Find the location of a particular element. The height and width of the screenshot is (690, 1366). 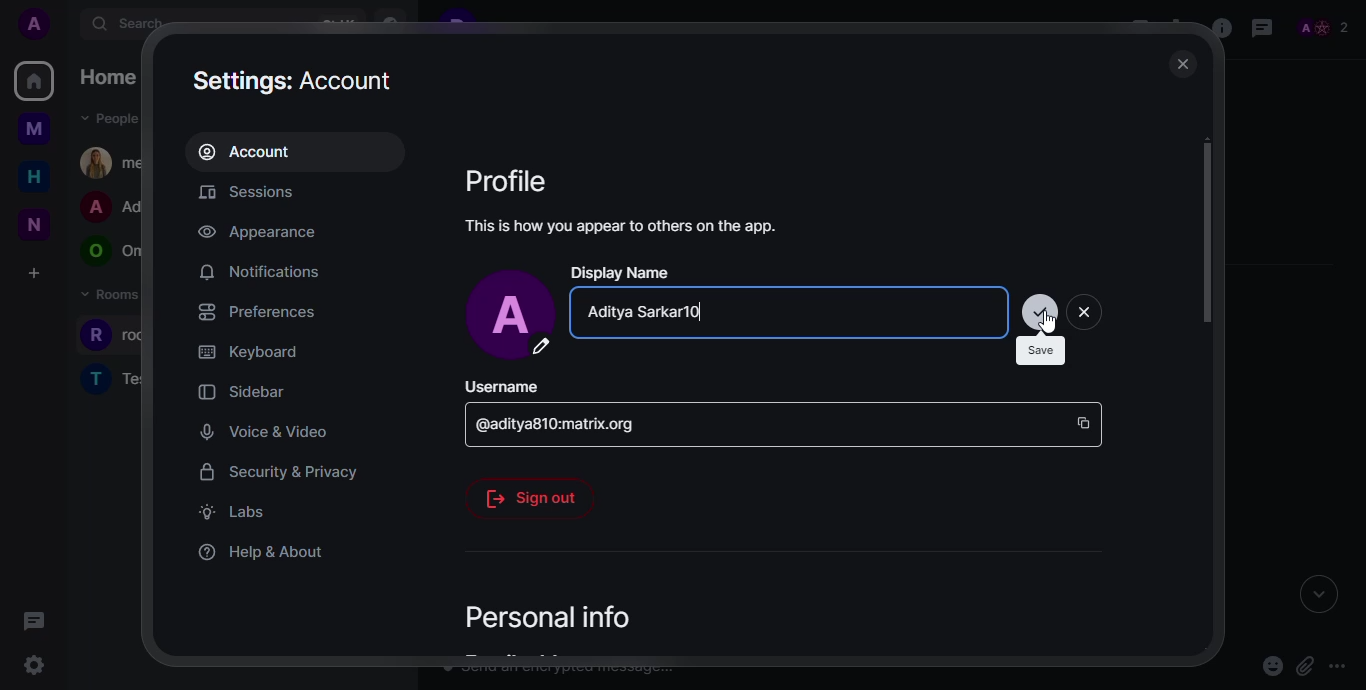

labs is located at coordinates (233, 512).